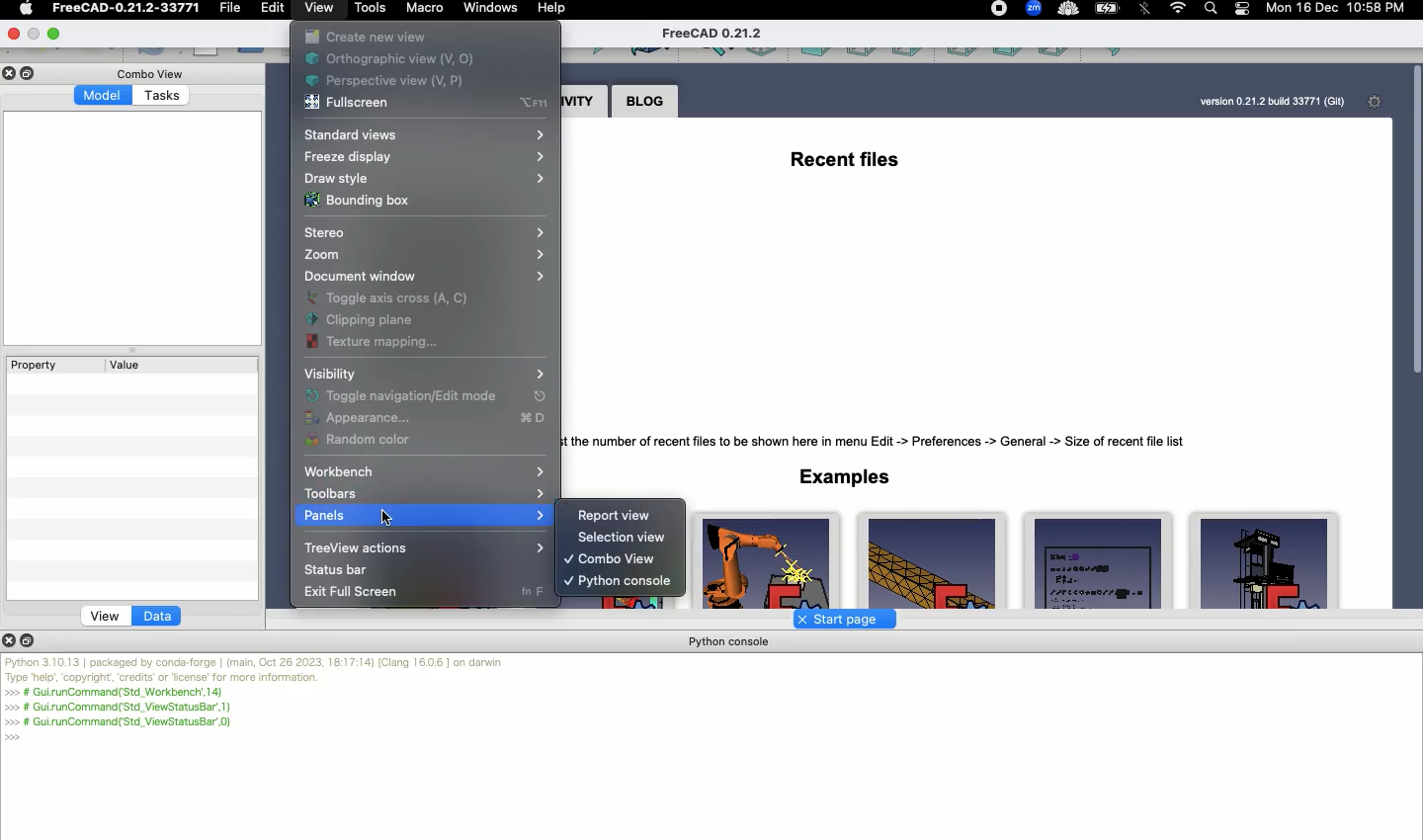 The width and height of the screenshot is (1423, 840). I want to click on Random color, so click(364, 442).